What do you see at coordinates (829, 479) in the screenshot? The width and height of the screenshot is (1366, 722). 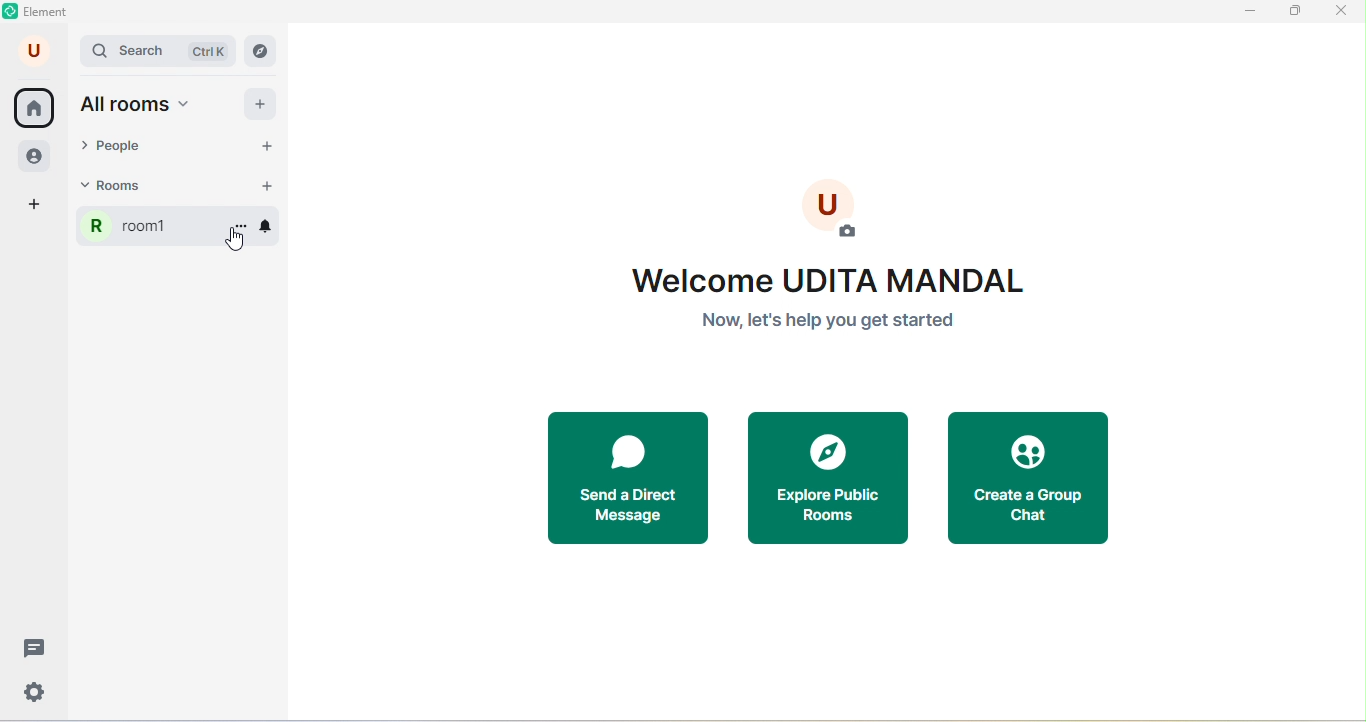 I see `explore public rooms` at bounding box center [829, 479].